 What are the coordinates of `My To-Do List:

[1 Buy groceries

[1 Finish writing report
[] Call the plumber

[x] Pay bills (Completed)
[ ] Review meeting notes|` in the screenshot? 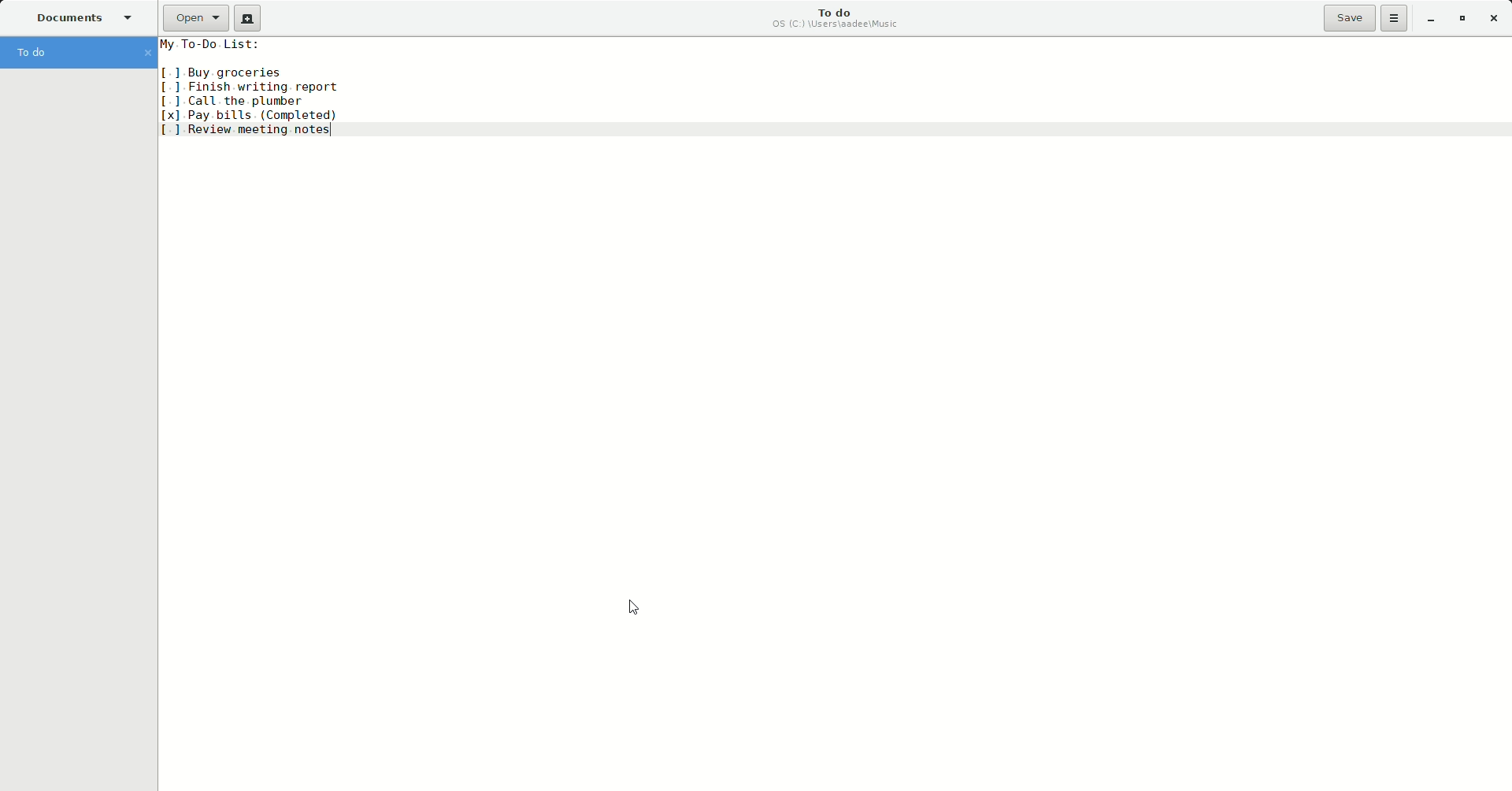 It's located at (829, 88).